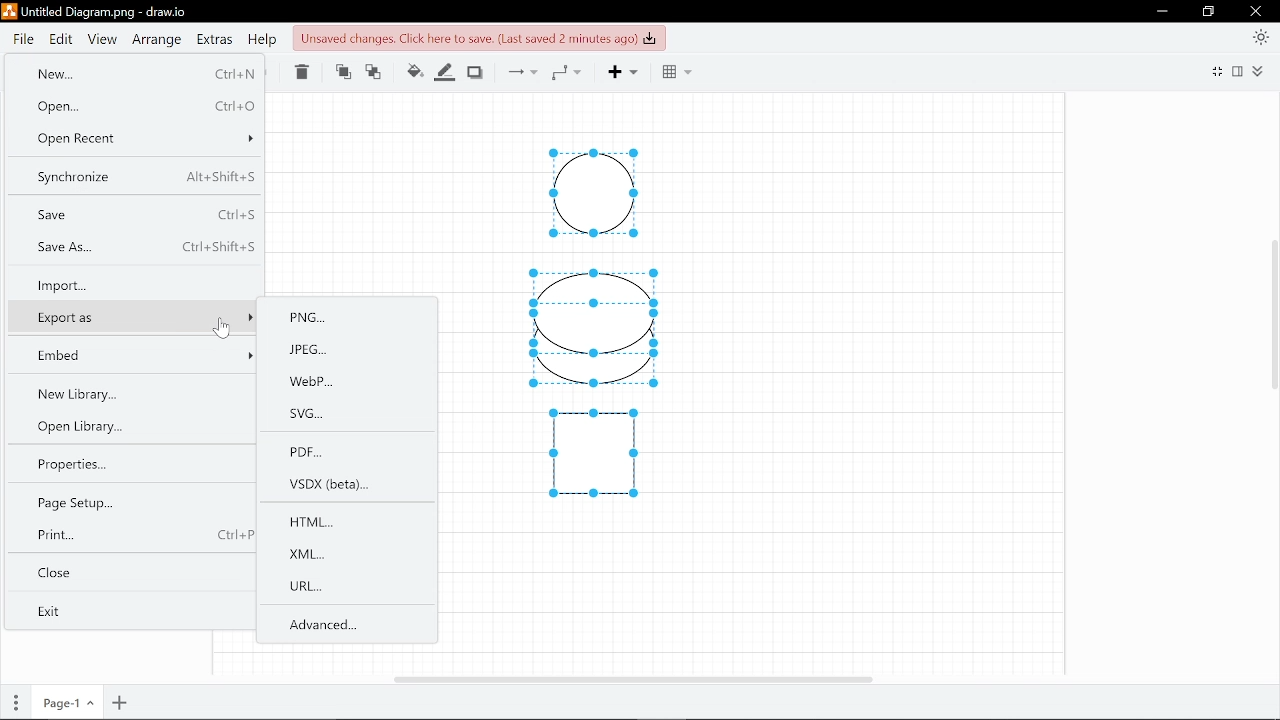 The width and height of the screenshot is (1280, 720). Describe the element at coordinates (213, 40) in the screenshot. I see `Extras` at that location.